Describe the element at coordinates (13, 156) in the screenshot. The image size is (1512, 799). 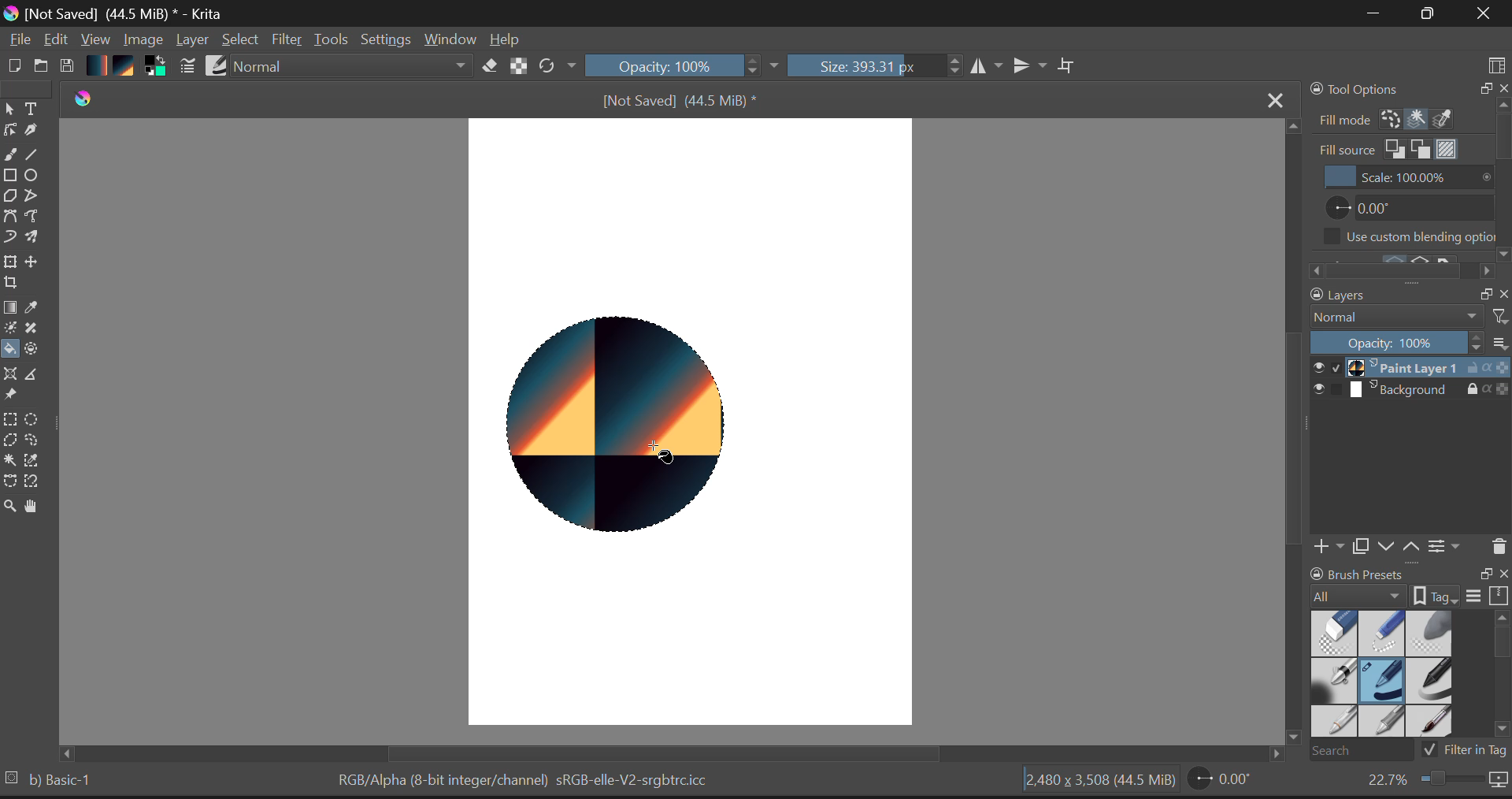
I see `freehand curve` at that location.